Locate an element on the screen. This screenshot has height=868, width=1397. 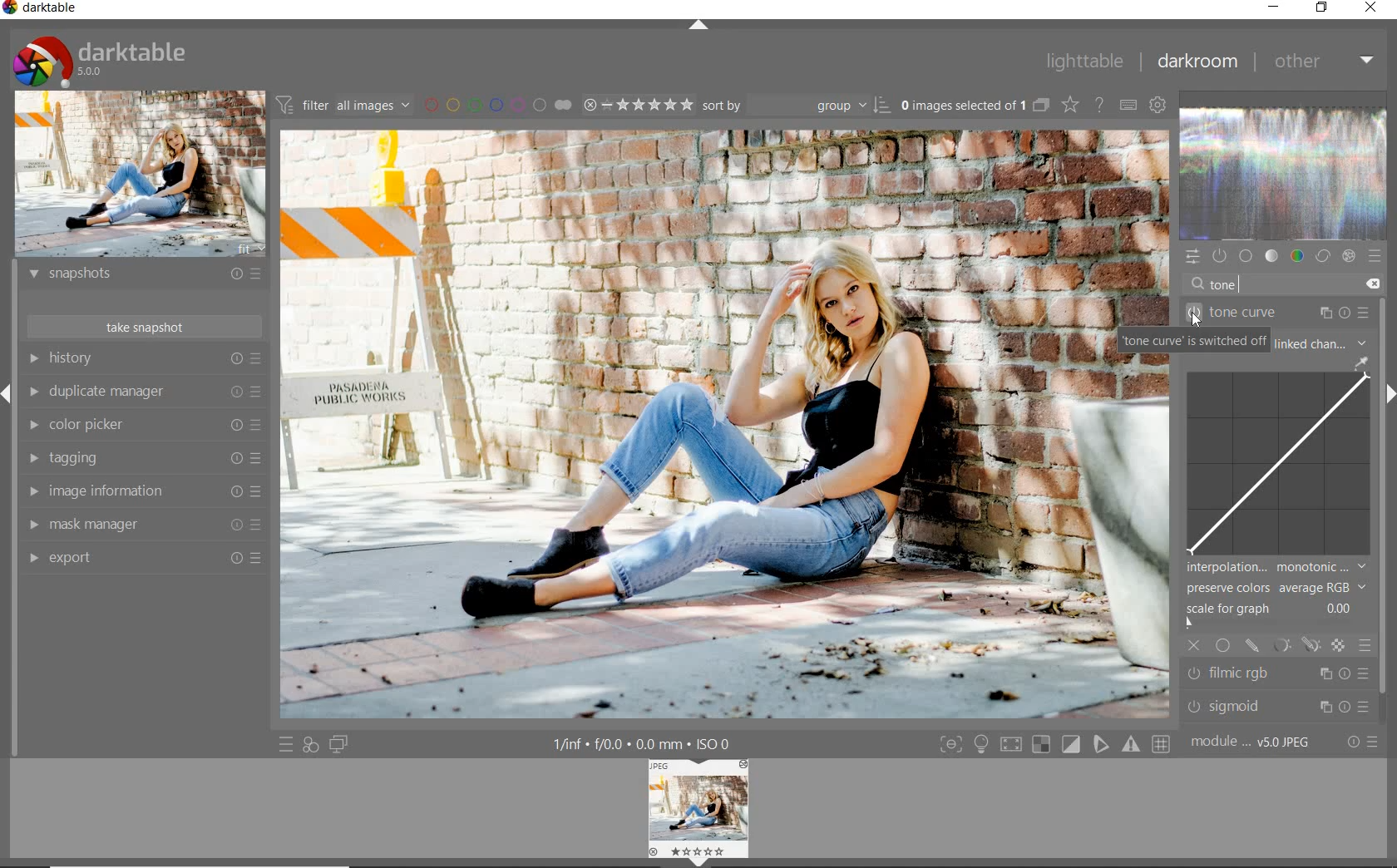
tone is located at coordinates (1227, 284).